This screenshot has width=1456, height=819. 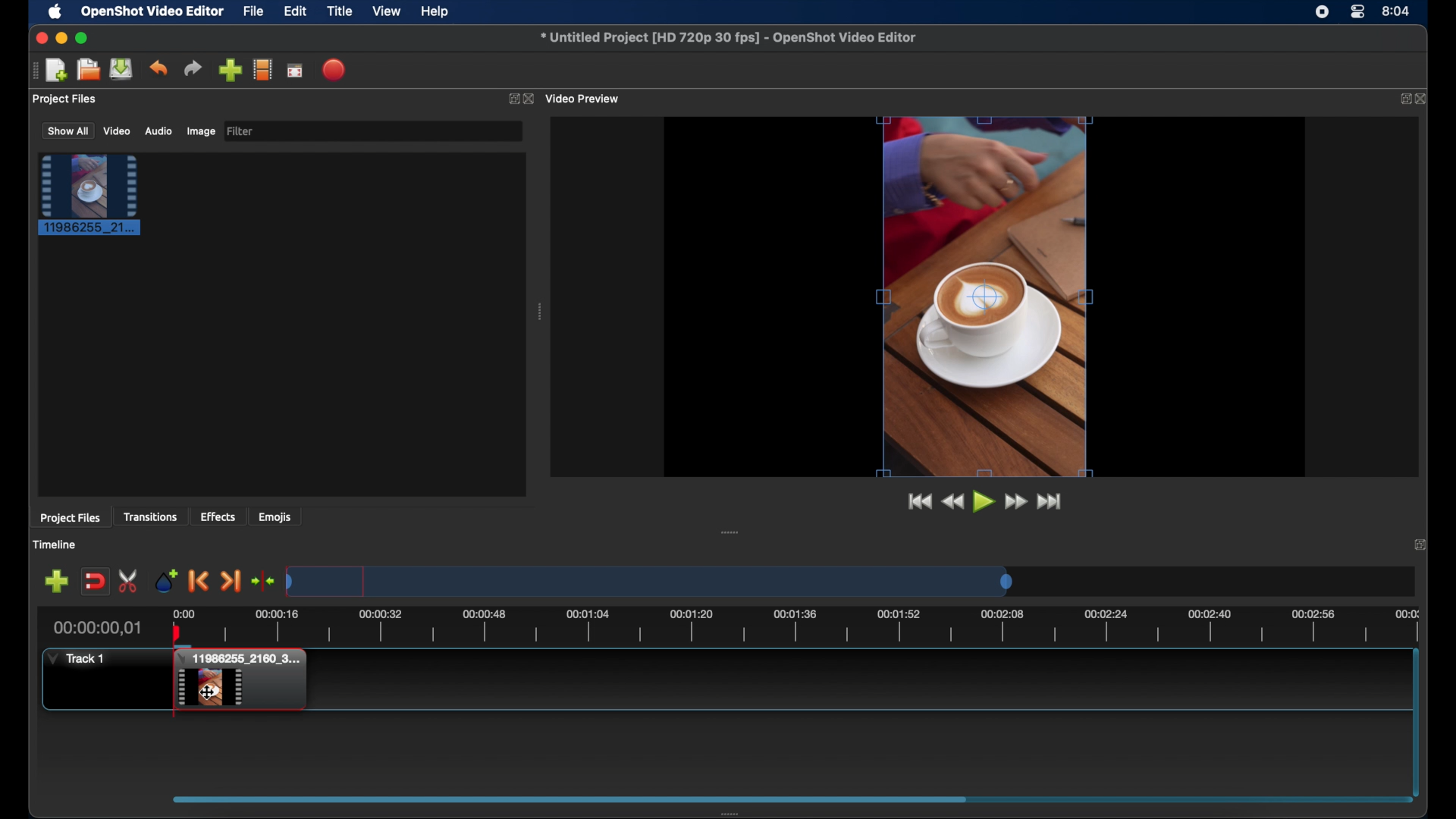 I want to click on disable  snapping, so click(x=94, y=580).